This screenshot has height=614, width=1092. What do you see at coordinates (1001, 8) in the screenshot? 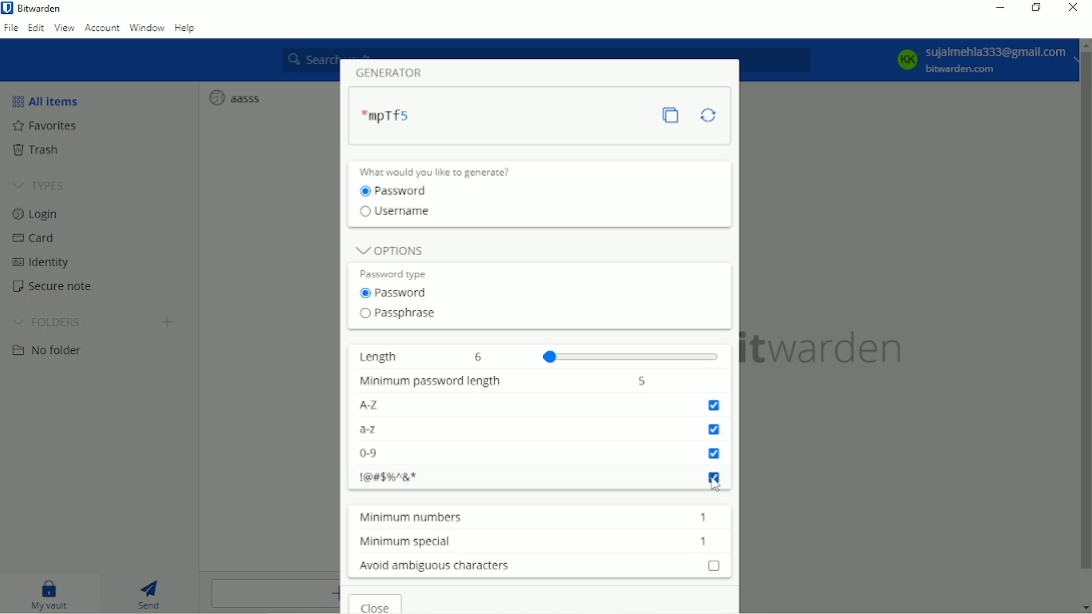
I see `Minimize` at bounding box center [1001, 8].